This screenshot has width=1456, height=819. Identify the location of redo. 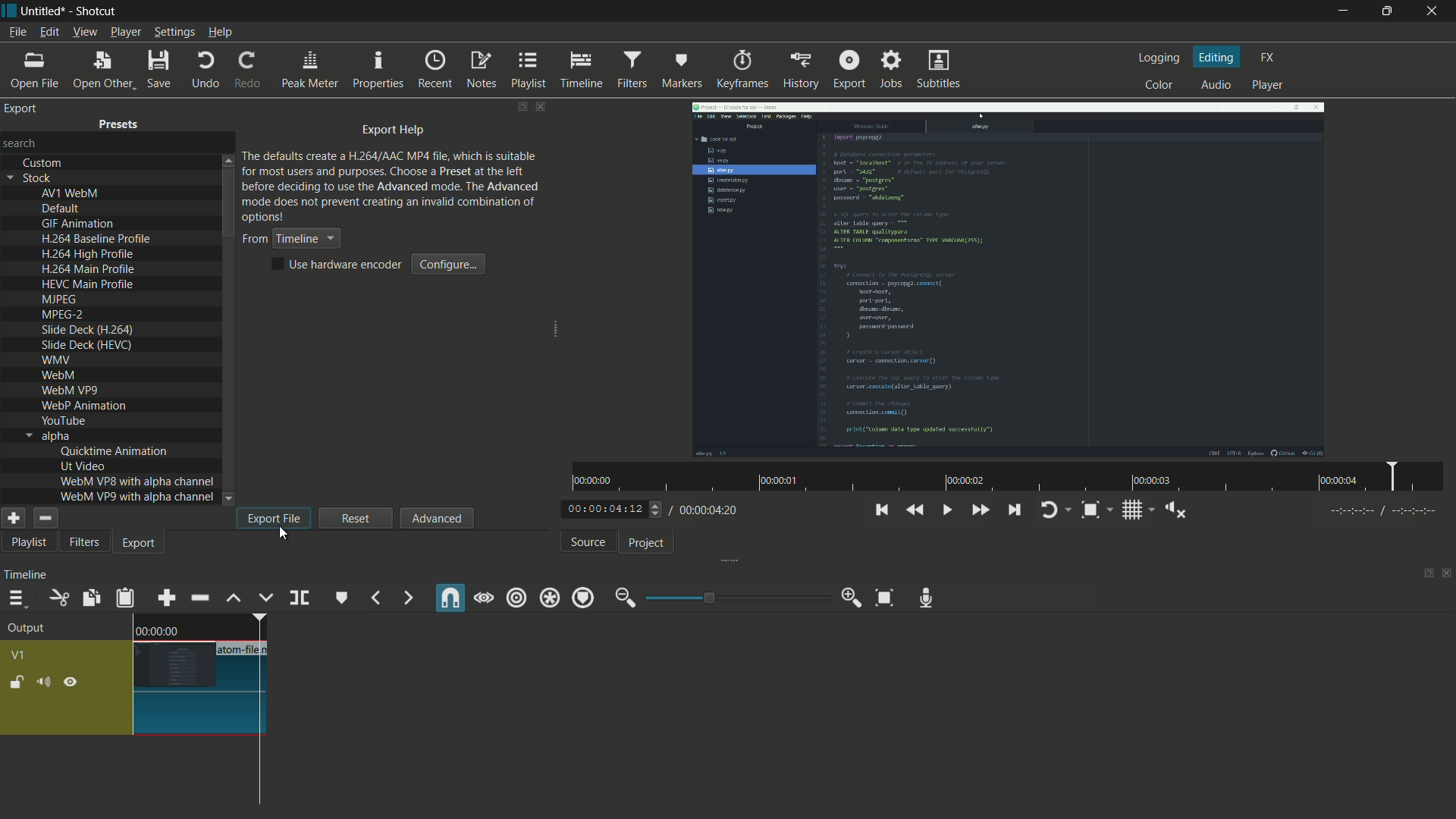
(252, 71).